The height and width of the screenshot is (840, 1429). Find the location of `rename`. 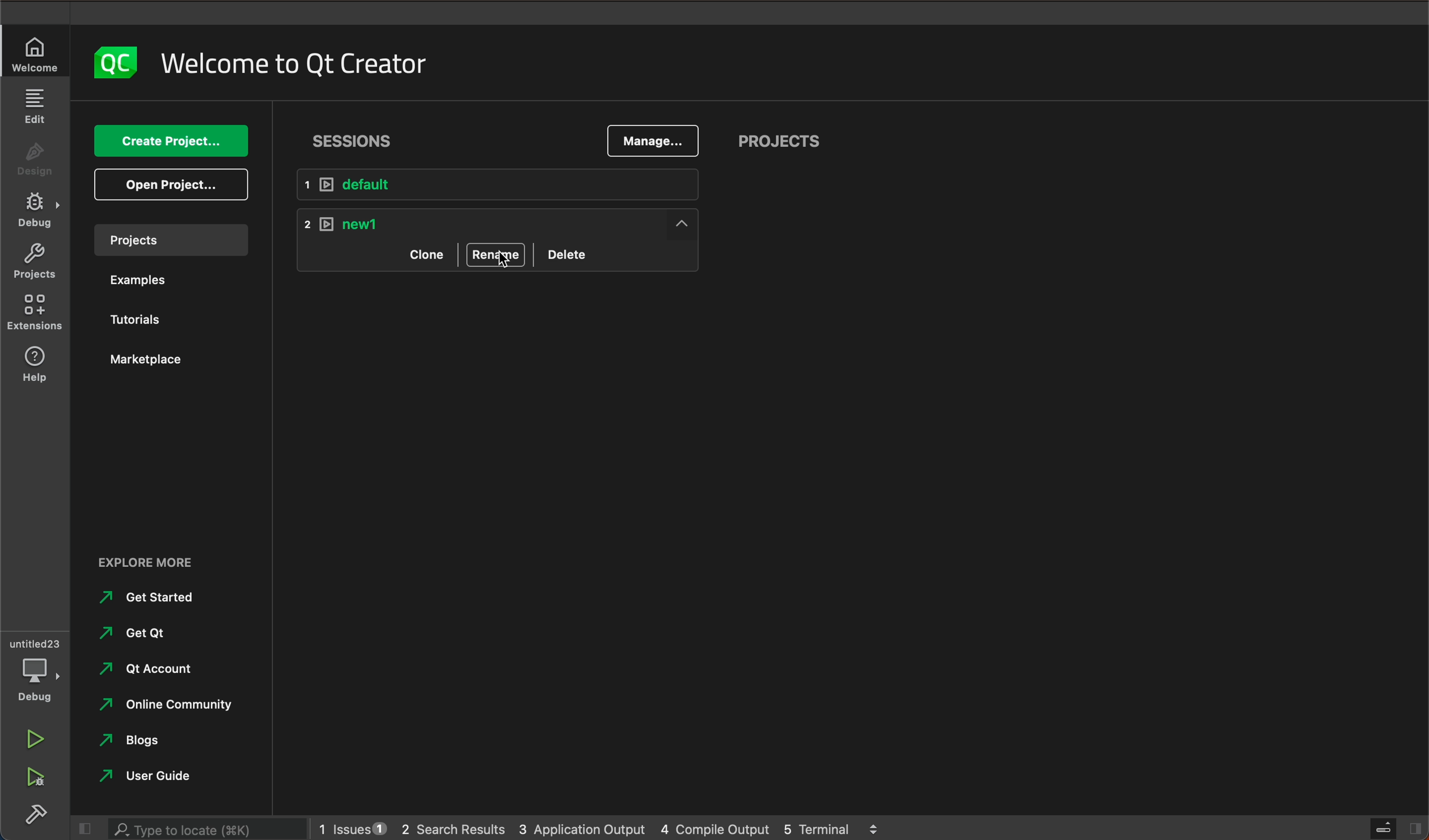

rename is located at coordinates (496, 254).